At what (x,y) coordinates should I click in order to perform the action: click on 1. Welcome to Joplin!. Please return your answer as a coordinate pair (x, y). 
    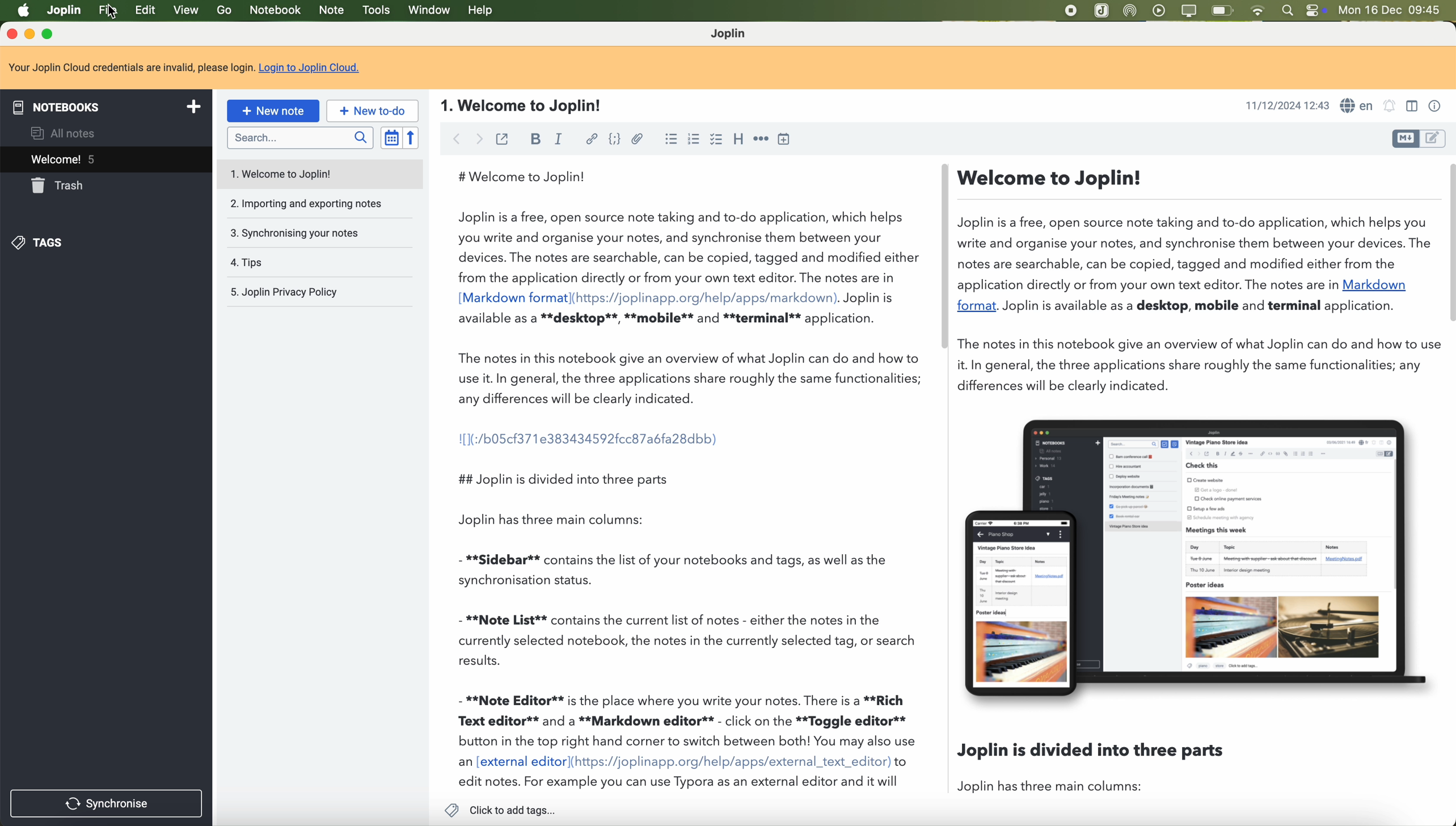
    Looking at the image, I should click on (291, 175).